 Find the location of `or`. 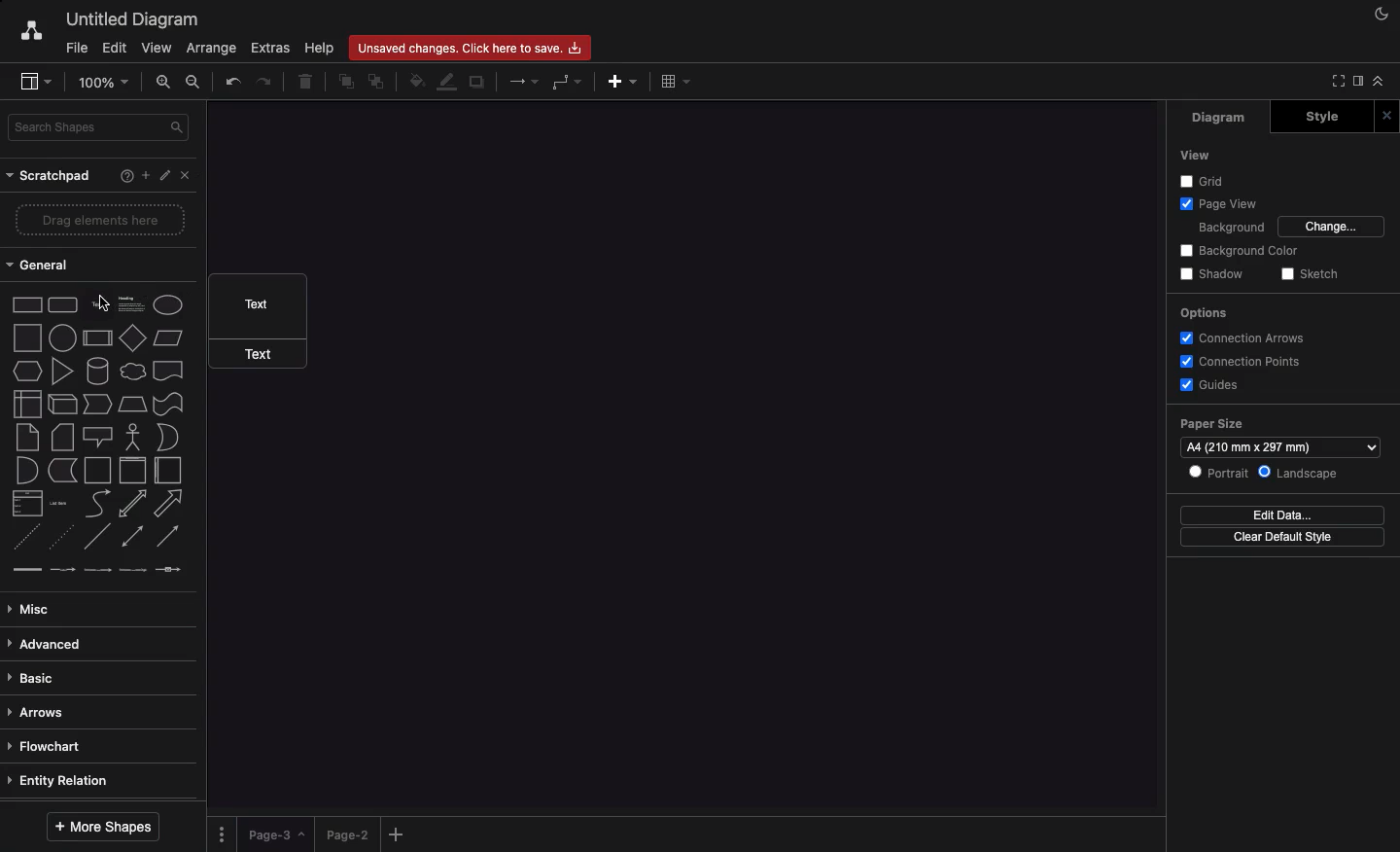

or is located at coordinates (168, 437).